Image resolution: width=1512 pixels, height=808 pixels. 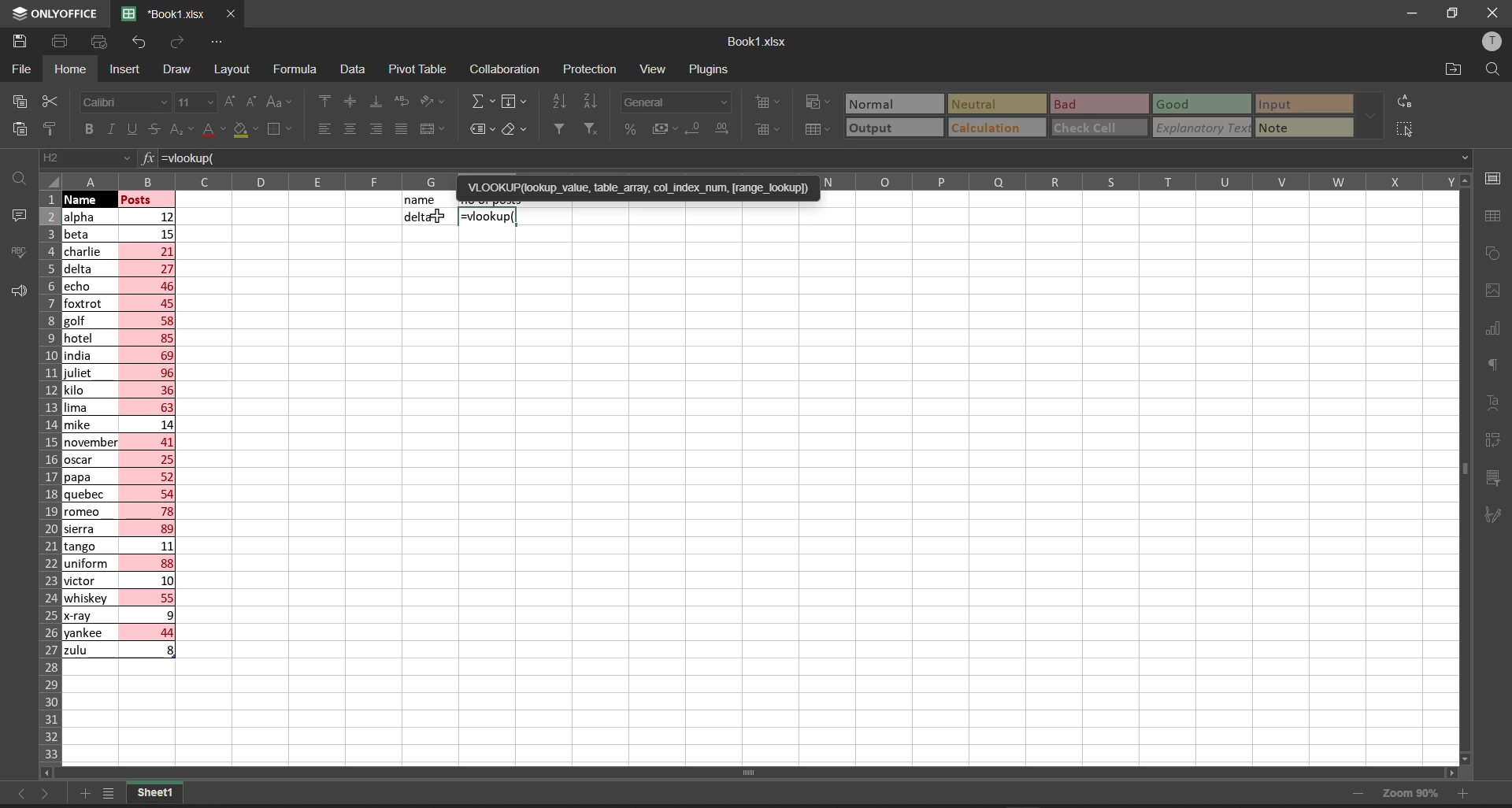 I want to click on find, so click(x=17, y=176).